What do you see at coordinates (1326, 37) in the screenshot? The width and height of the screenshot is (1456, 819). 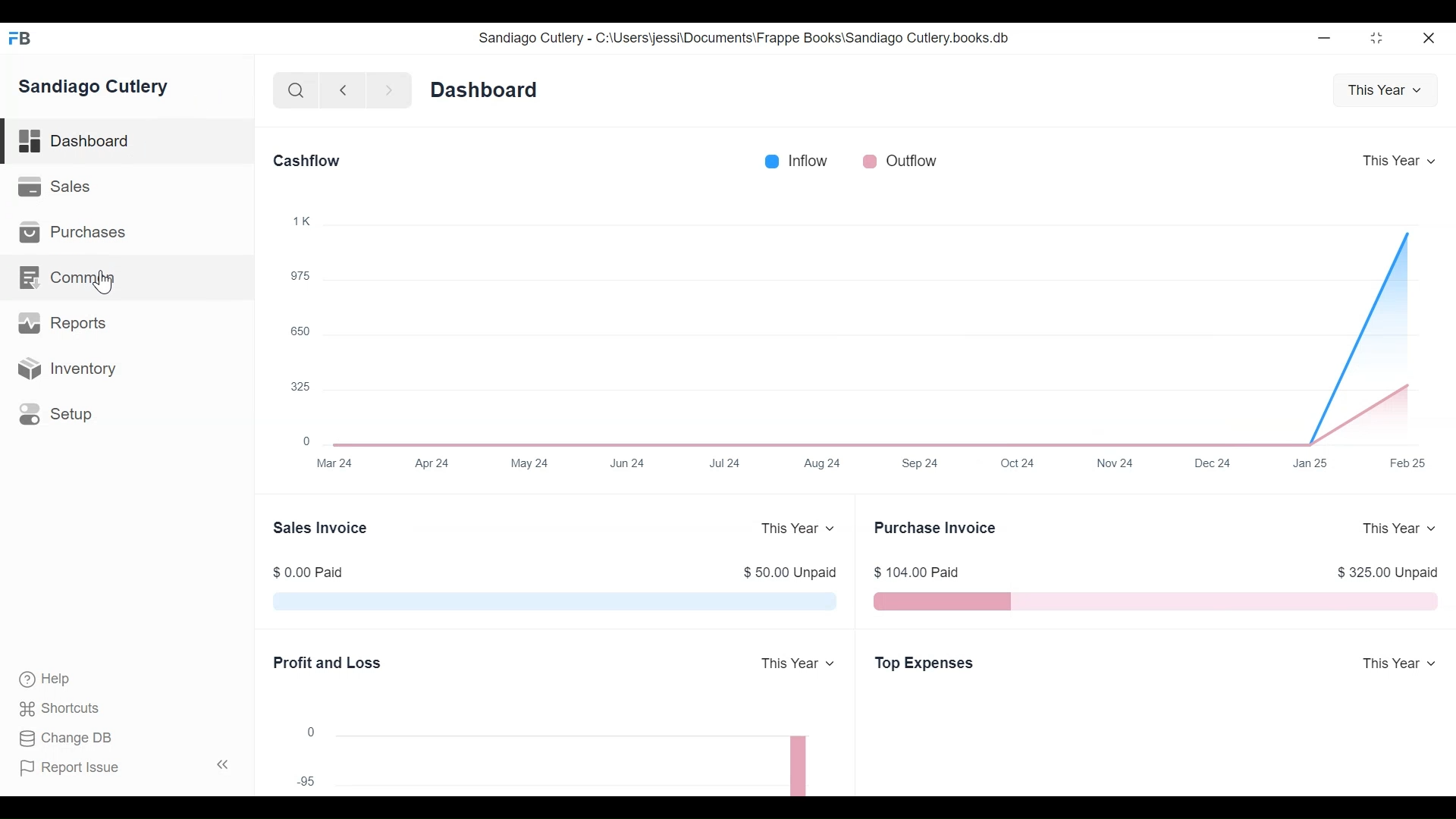 I see `Minimize` at bounding box center [1326, 37].